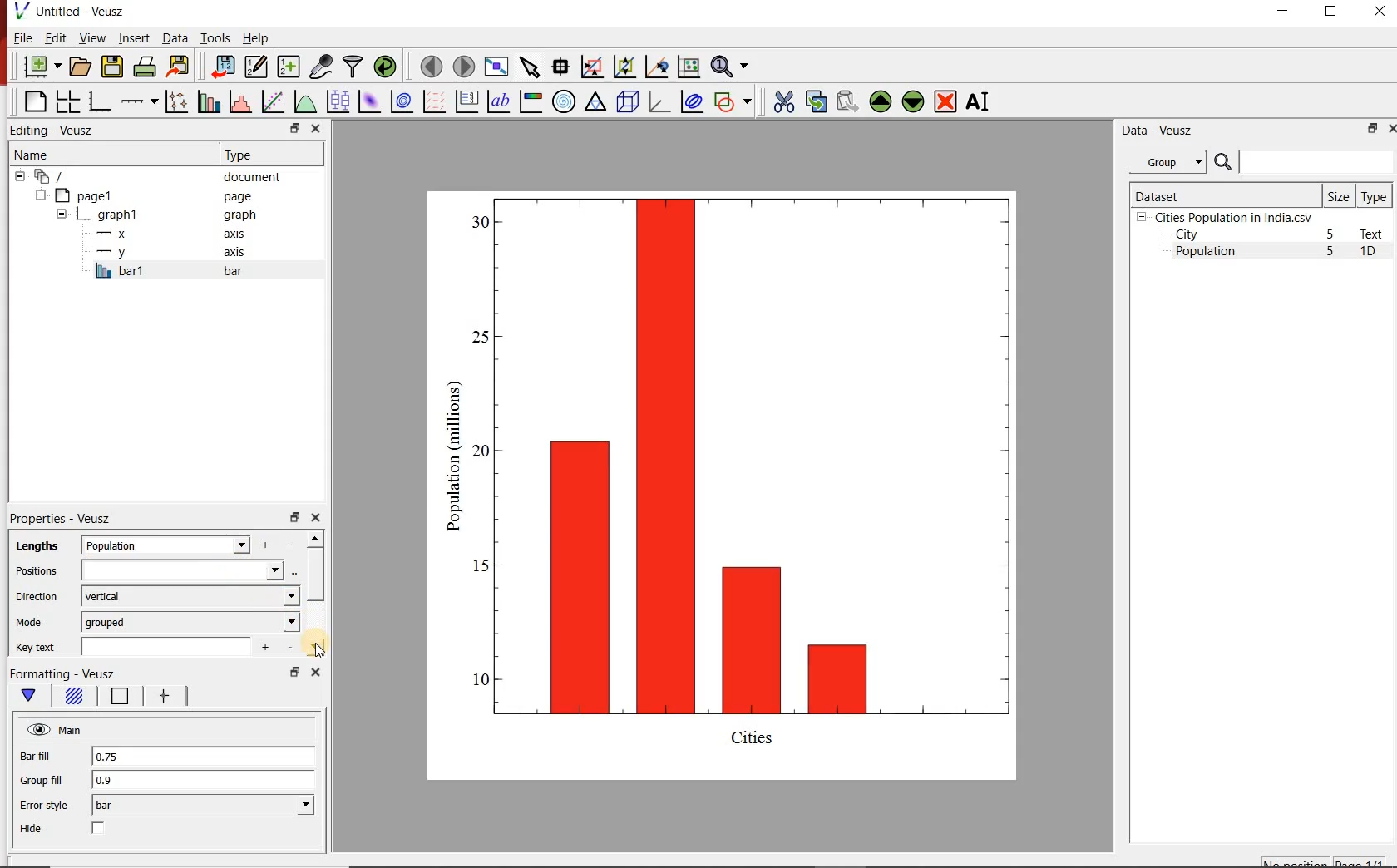 This screenshot has height=868, width=1397. I want to click on Data - Veusz, so click(1154, 130).